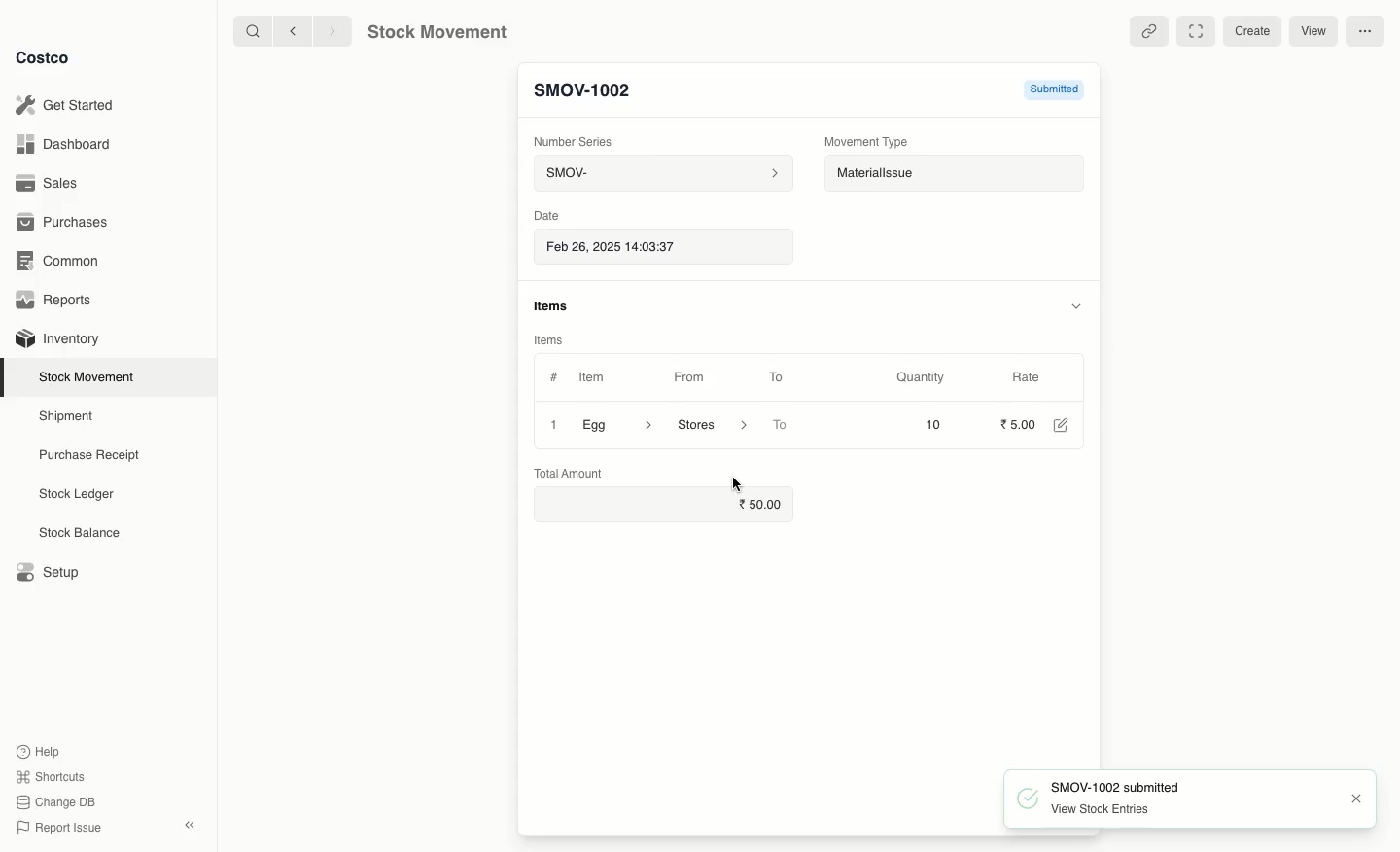 The height and width of the screenshot is (852, 1400). Describe the element at coordinates (777, 376) in the screenshot. I see `To` at that location.